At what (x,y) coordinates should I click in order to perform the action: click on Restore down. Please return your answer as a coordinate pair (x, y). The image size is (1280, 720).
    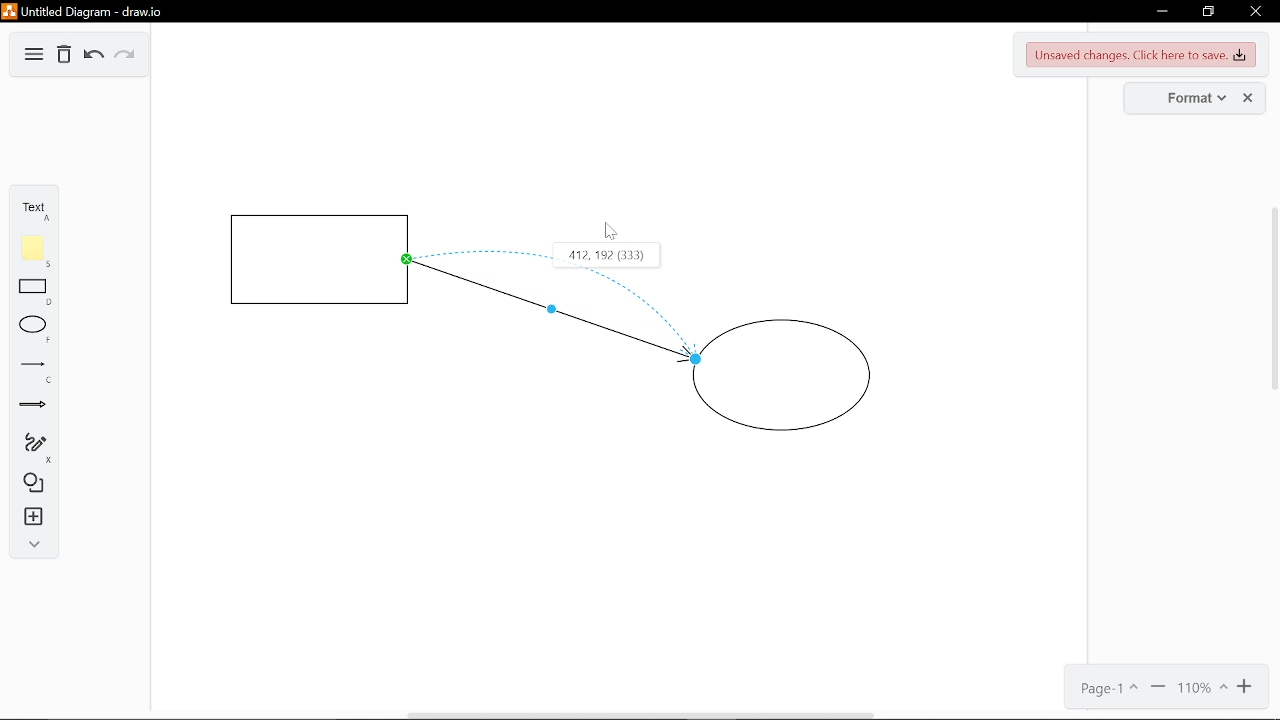
    Looking at the image, I should click on (1209, 11).